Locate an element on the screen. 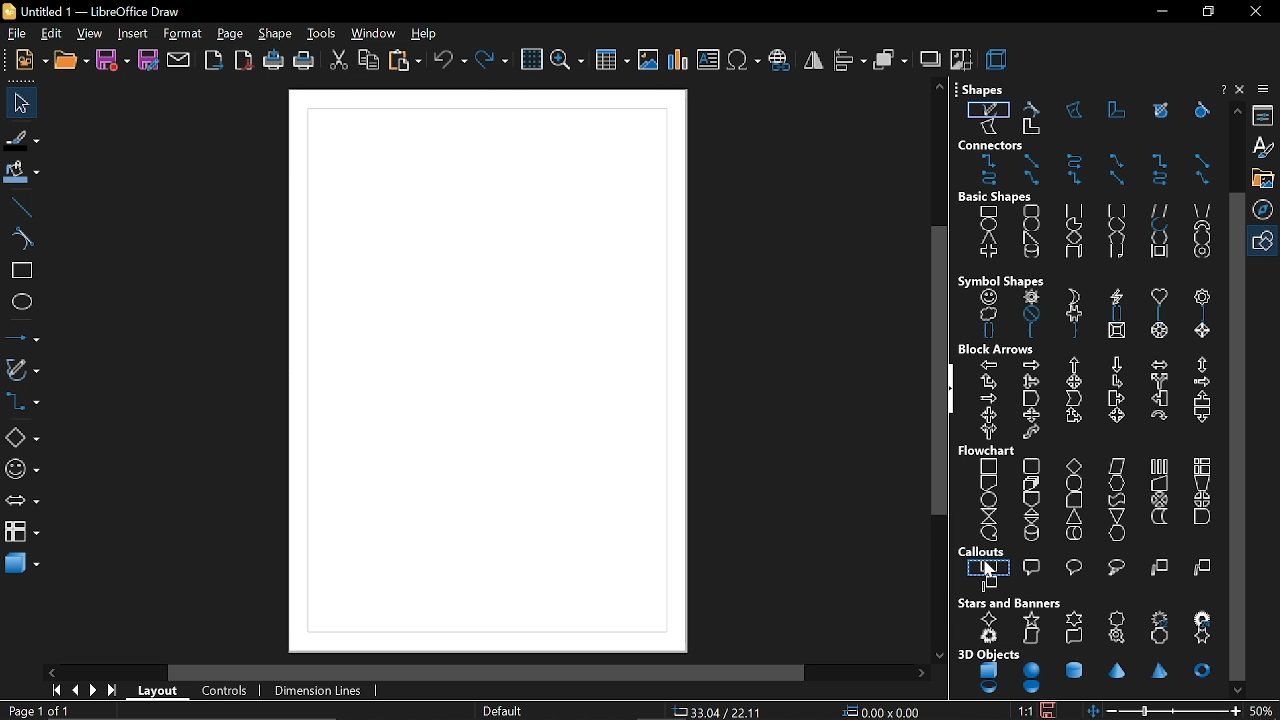 The image size is (1280, 720). square is located at coordinates (1074, 211).